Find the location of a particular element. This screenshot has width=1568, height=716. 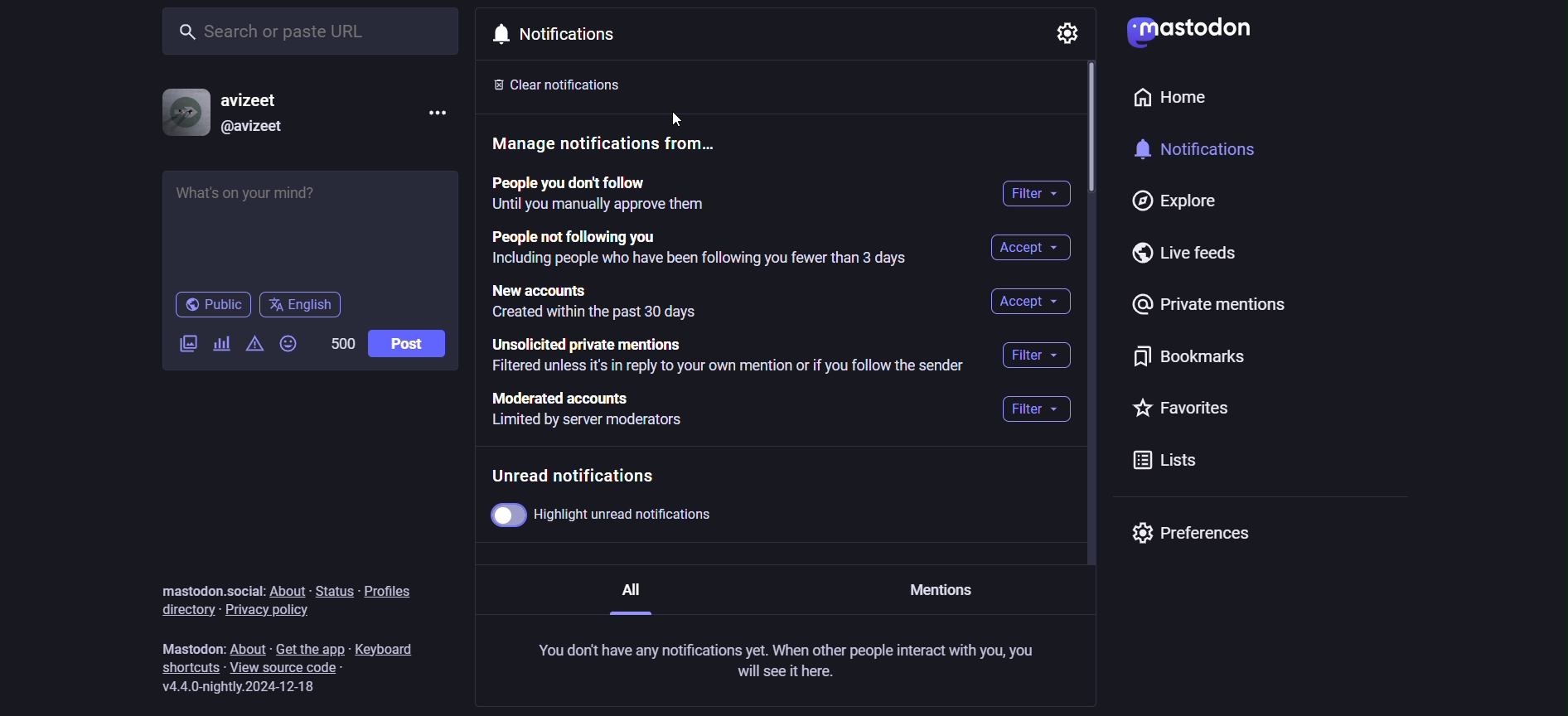

explore is located at coordinates (1168, 202).